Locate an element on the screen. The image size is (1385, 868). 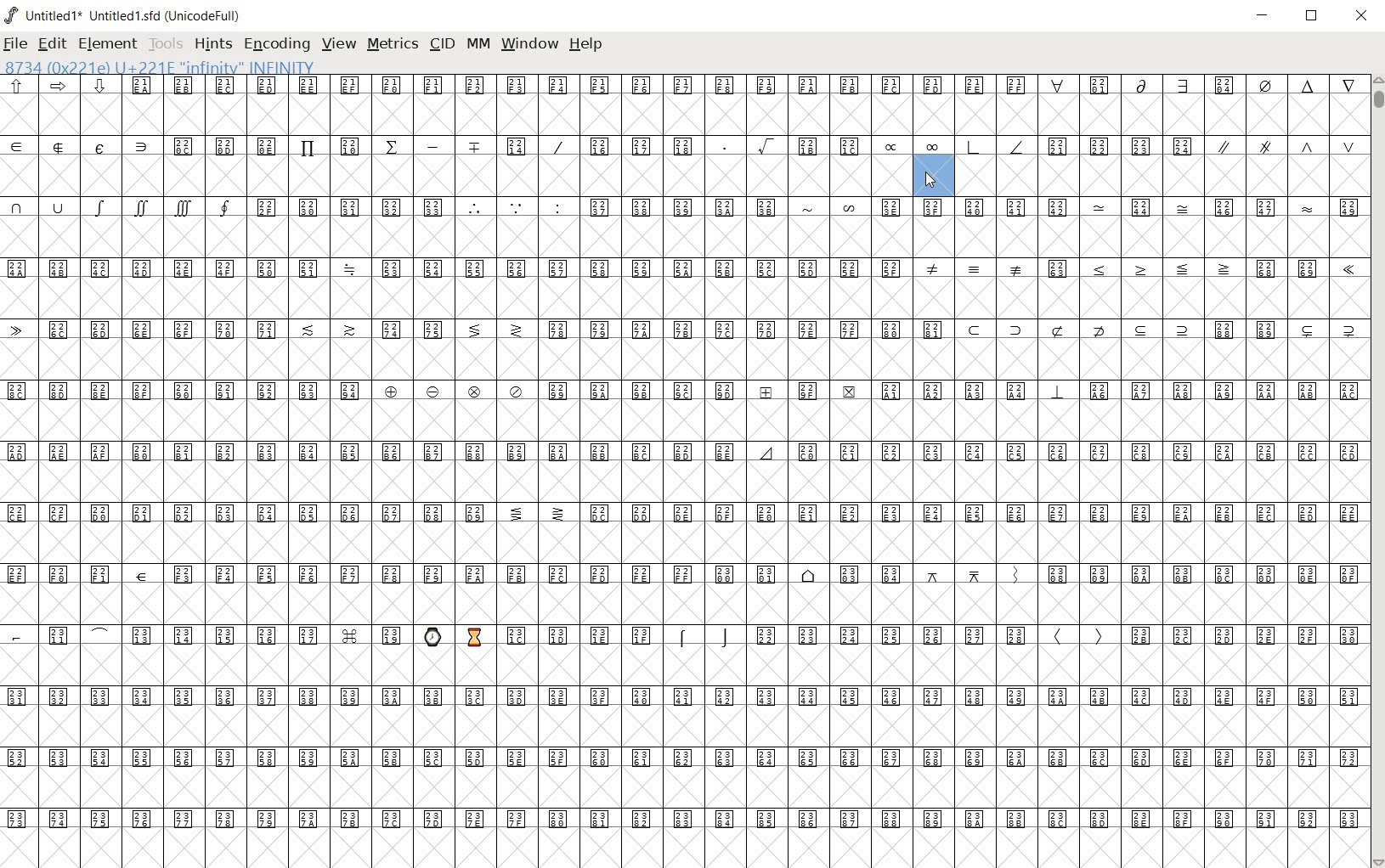
tools is located at coordinates (167, 44).